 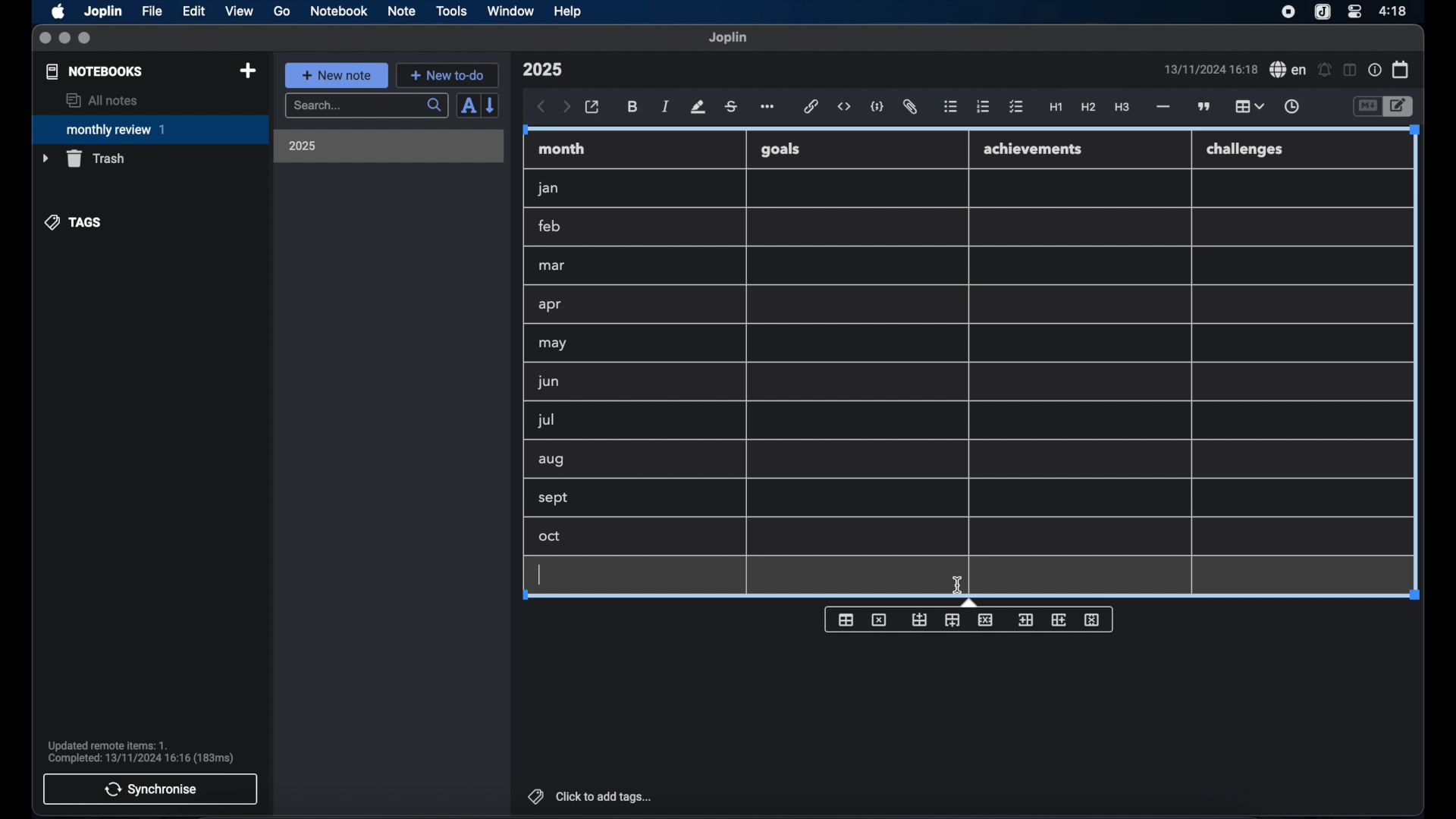 I want to click on insert table, so click(x=846, y=620).